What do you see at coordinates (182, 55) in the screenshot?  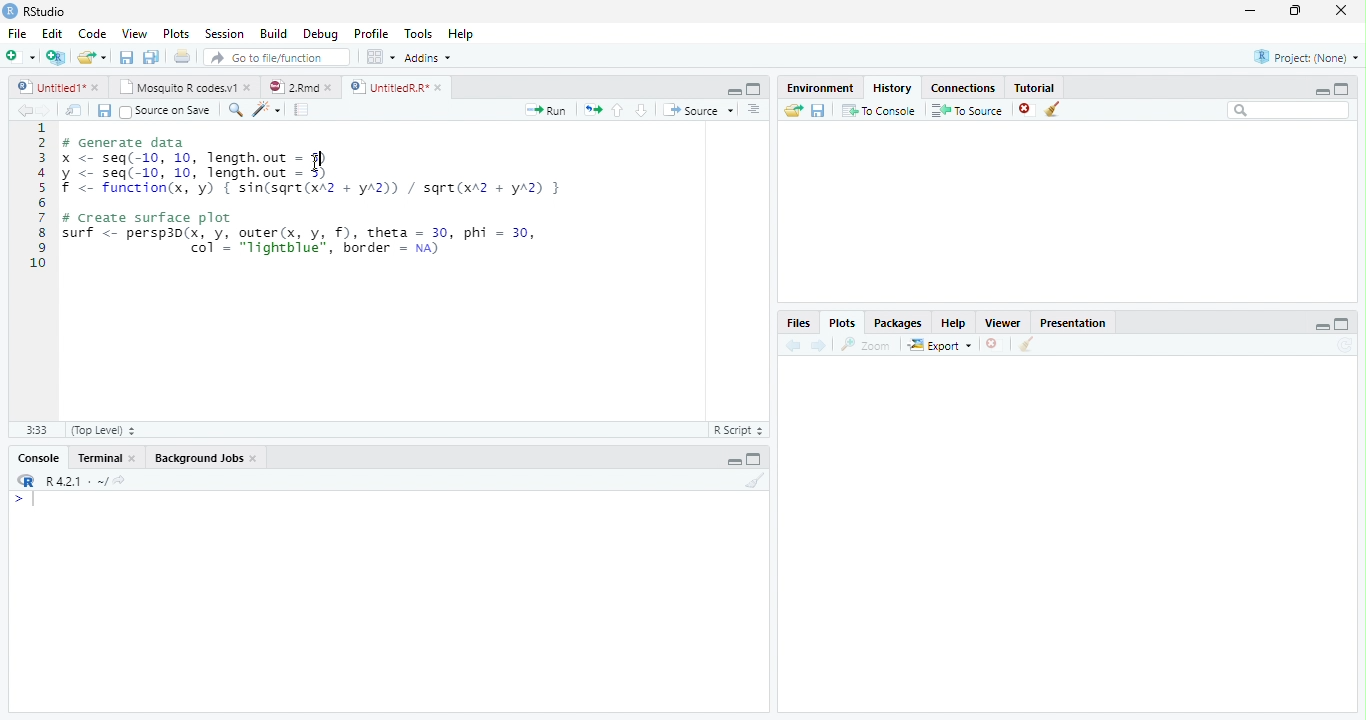 I see `Print the current file` at bounding box center [182, 55].